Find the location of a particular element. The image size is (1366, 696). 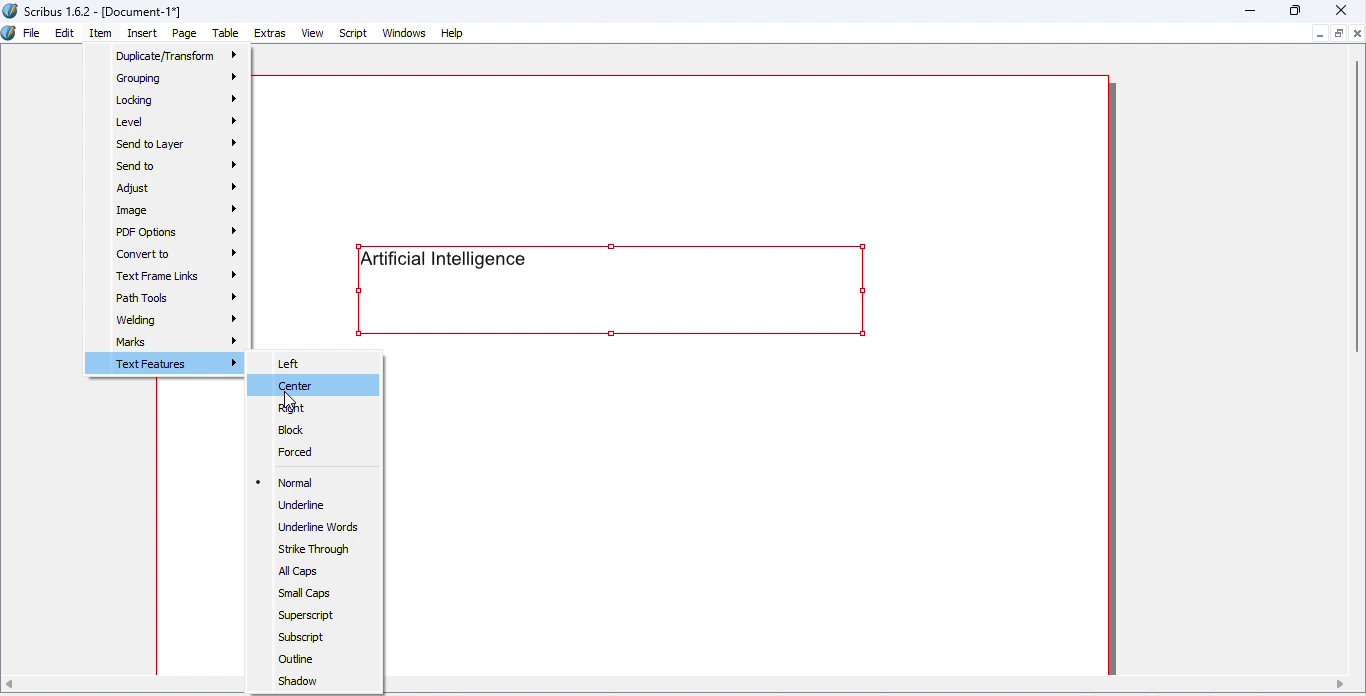

Adjust is located at coordinates (179, 188).